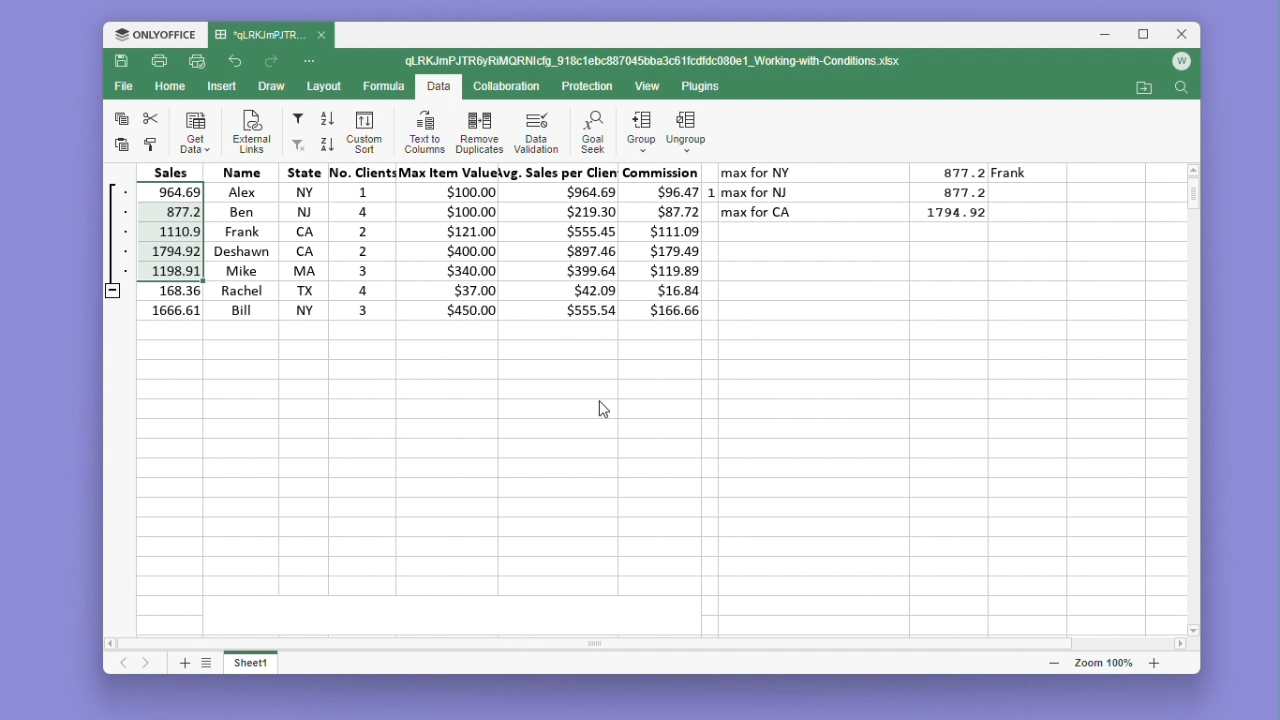 This screenshot has width=1280, height=720. I want to click on More options, so click(312, 60).